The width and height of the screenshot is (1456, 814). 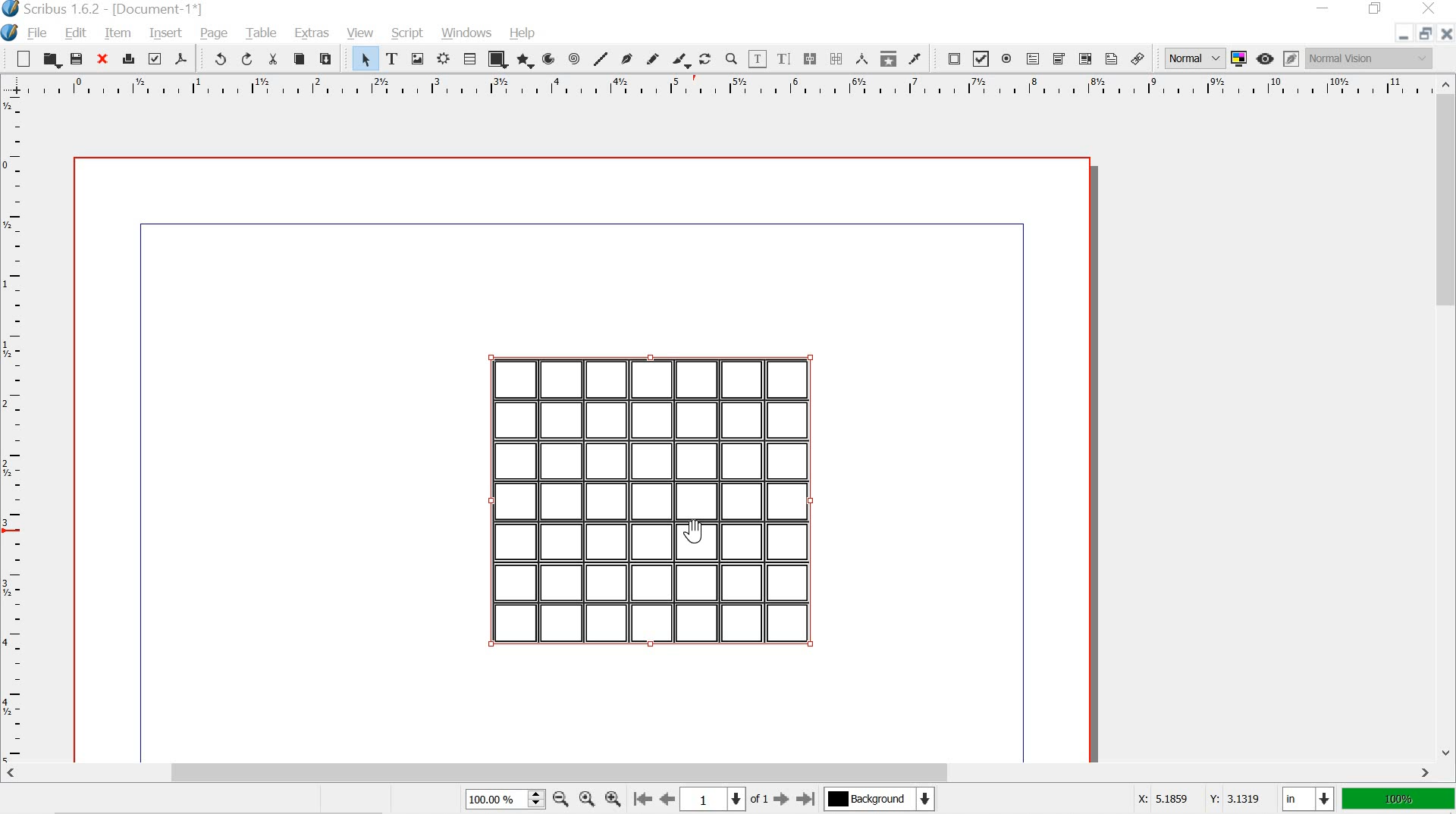 What do you see at coordinates (1423, 32) in the screenshot?
I see `restore down` at bounding box center [1423, 32].